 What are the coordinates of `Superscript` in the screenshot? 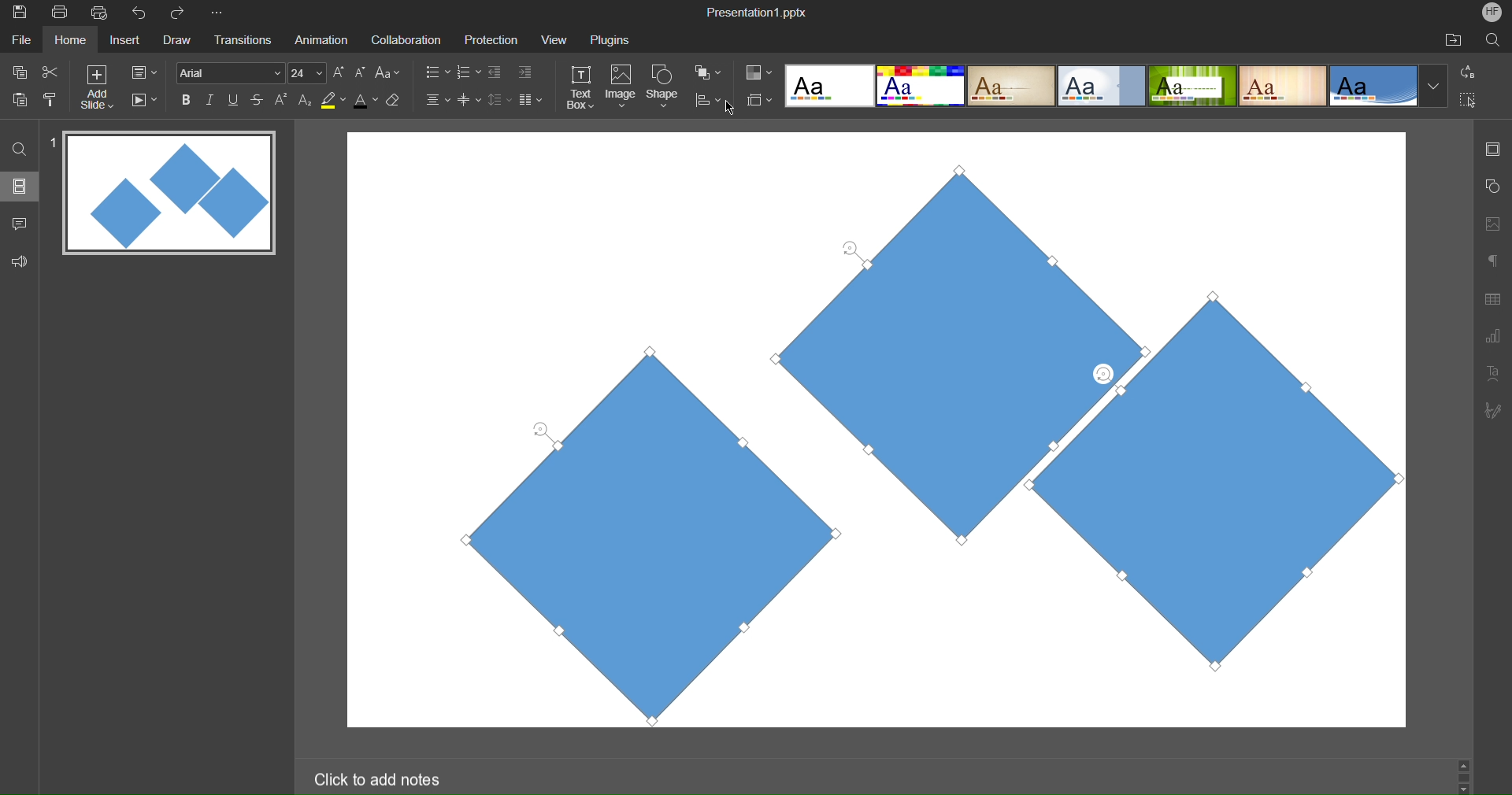 It's located at (283, 99).